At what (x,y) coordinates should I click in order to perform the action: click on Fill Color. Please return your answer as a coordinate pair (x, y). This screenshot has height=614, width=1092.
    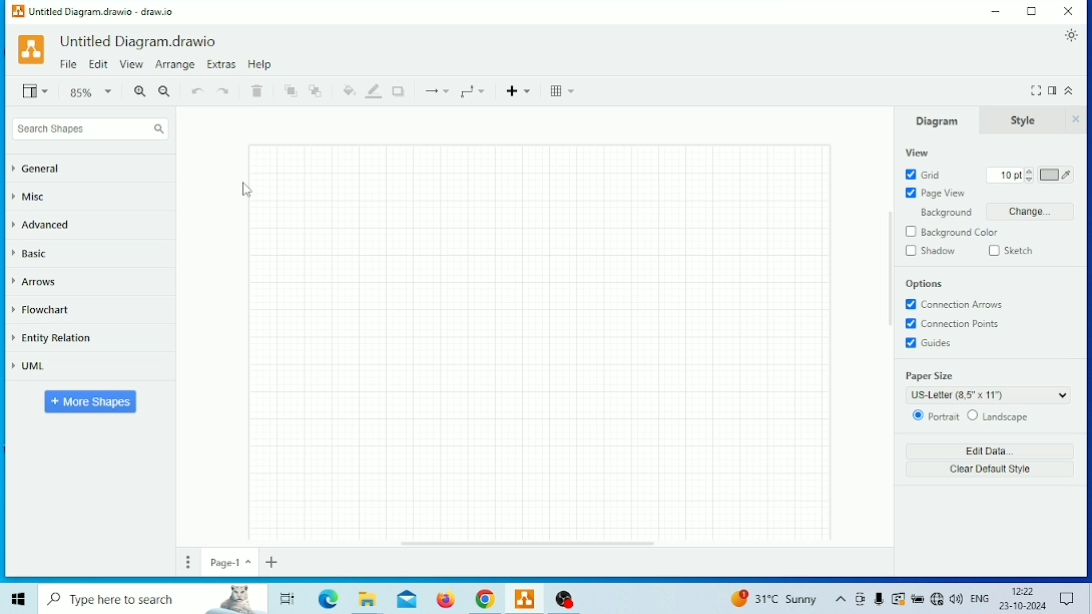
    Looking at the image, I should click on (348, 90).